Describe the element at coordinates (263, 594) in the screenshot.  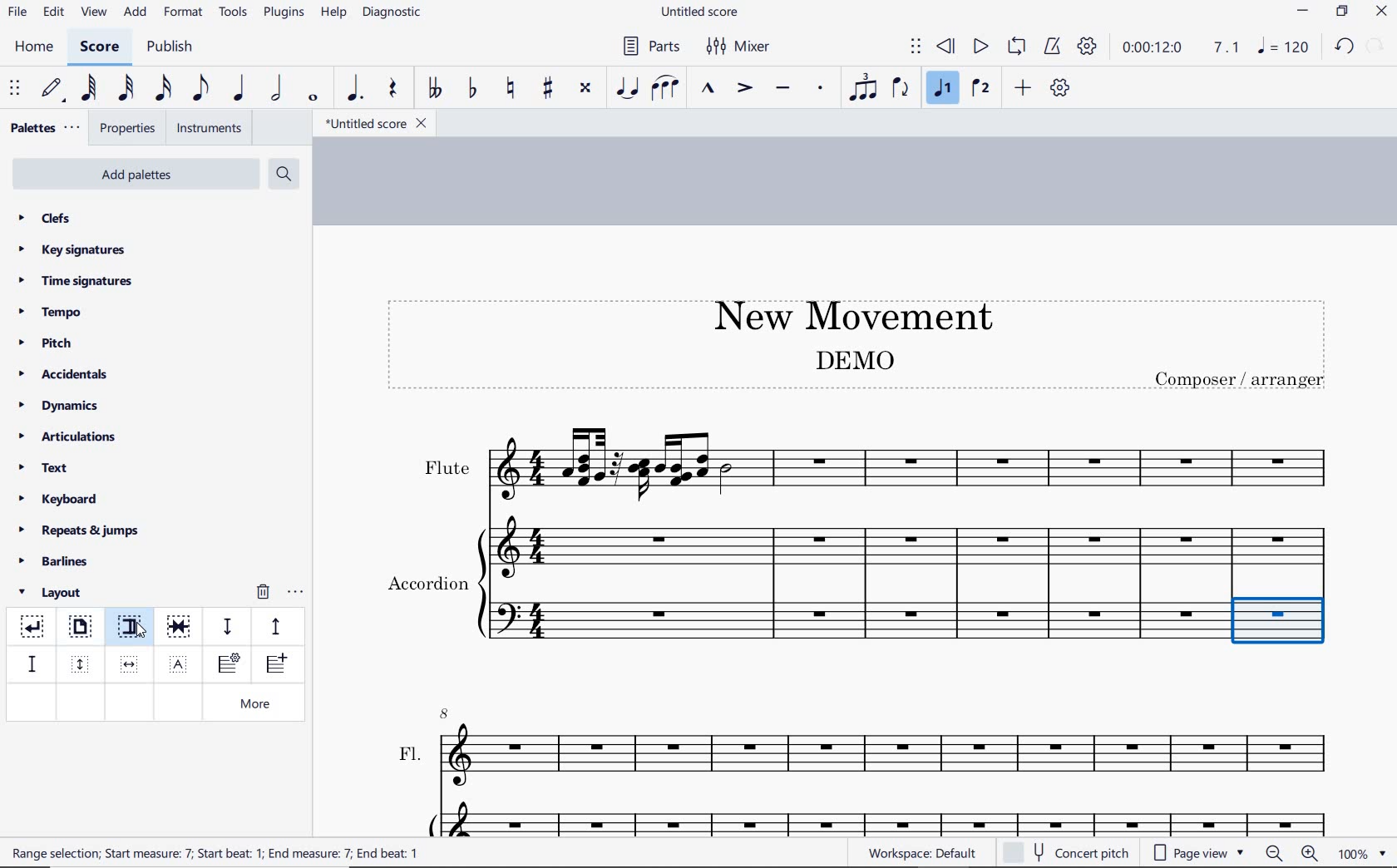
I see `remove layout` at that location.